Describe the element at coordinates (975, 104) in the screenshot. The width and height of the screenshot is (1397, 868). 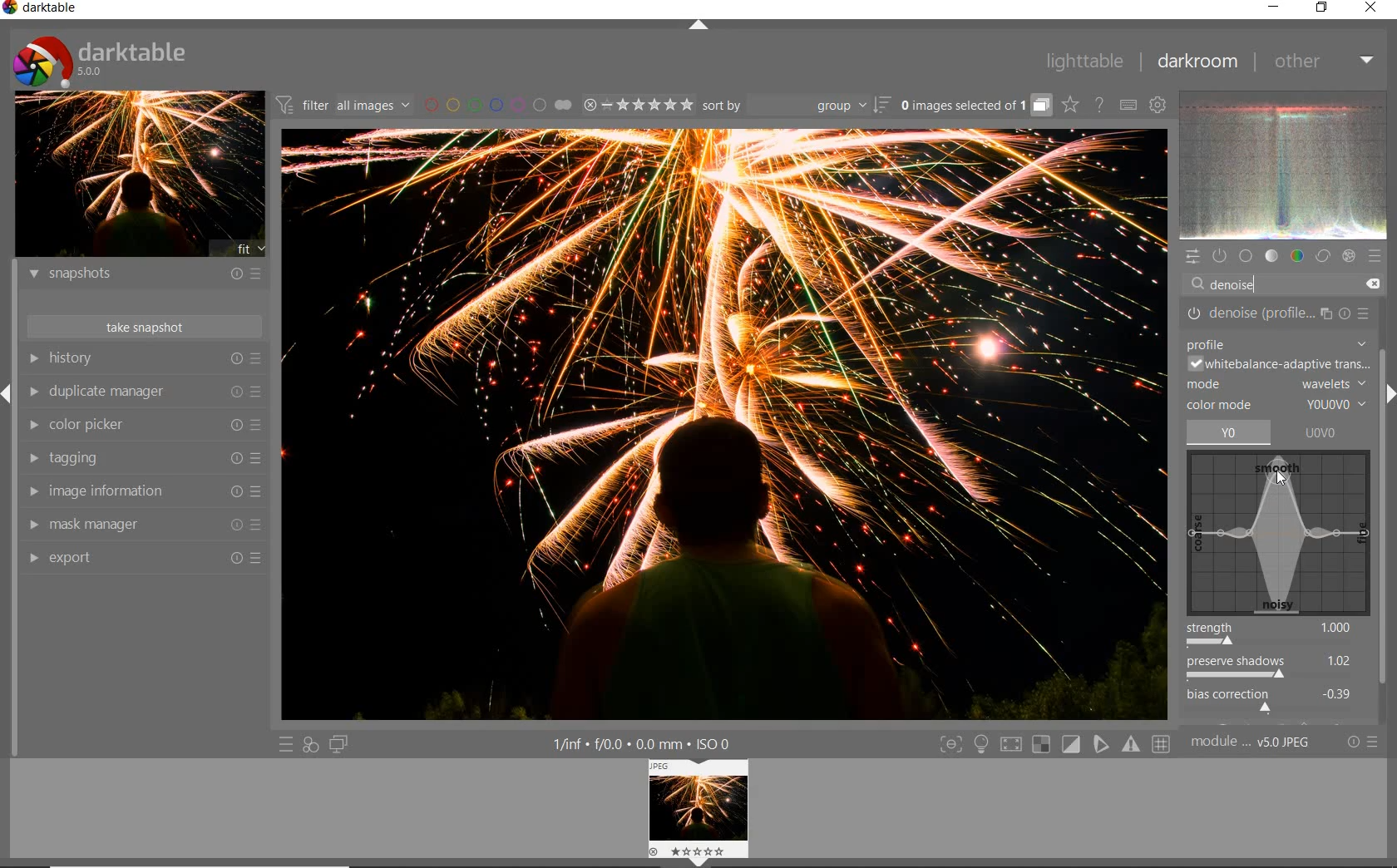
I see `grouped images` at that location.